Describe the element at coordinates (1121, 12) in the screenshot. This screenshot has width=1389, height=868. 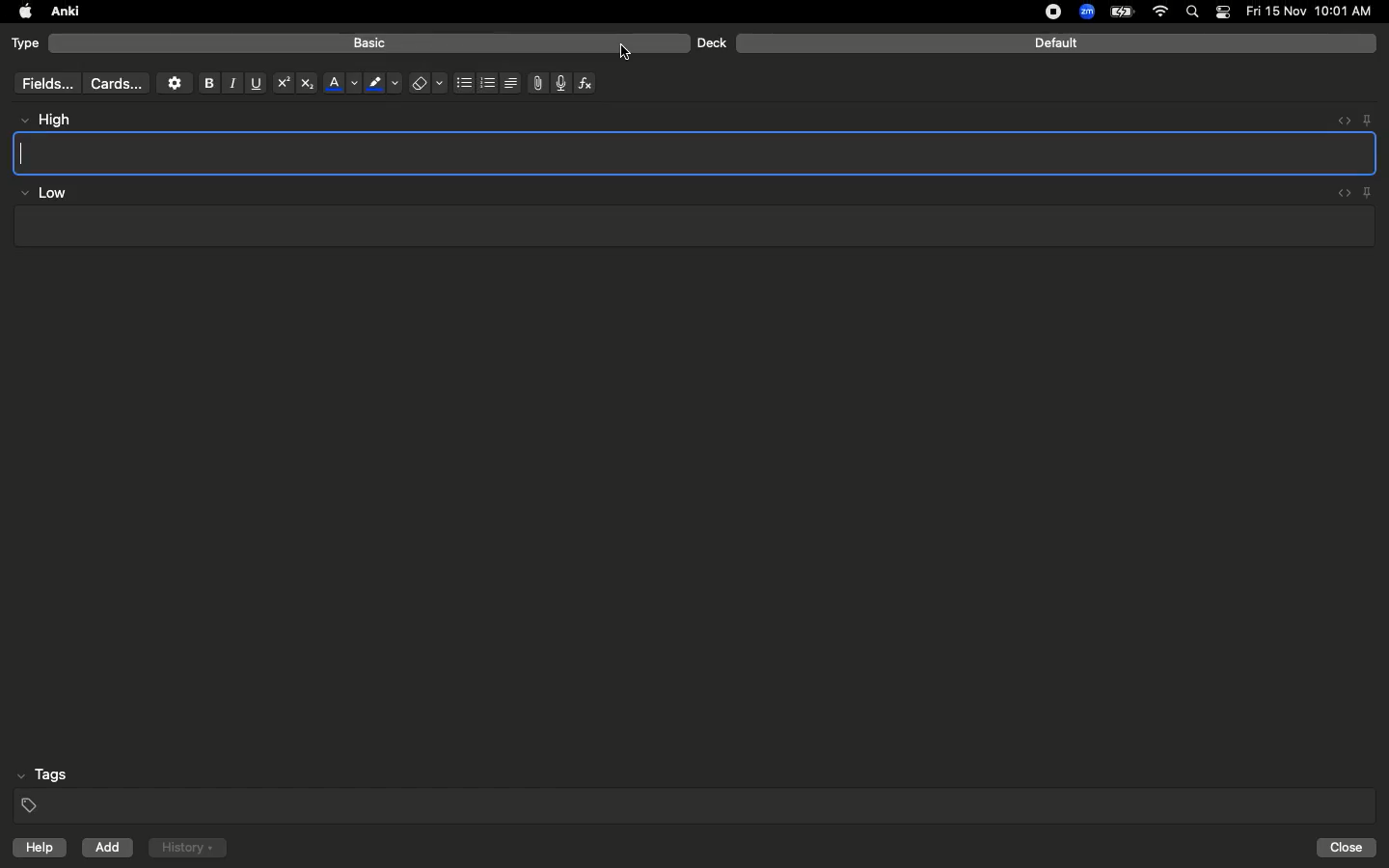
I see `Charge` at that location.